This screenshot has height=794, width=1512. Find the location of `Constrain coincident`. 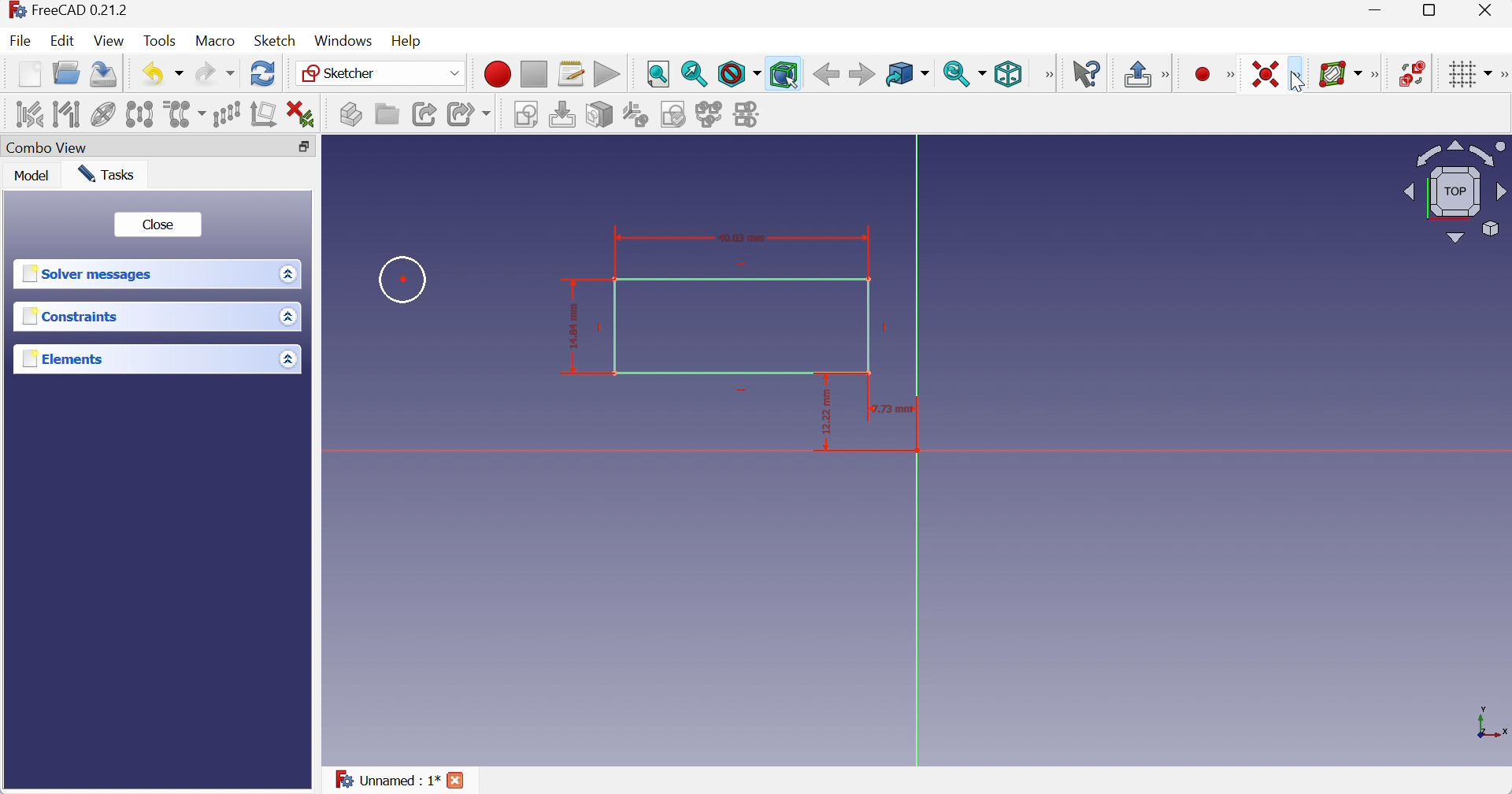

Constrain coincident is located at coordinates (1266, 72).